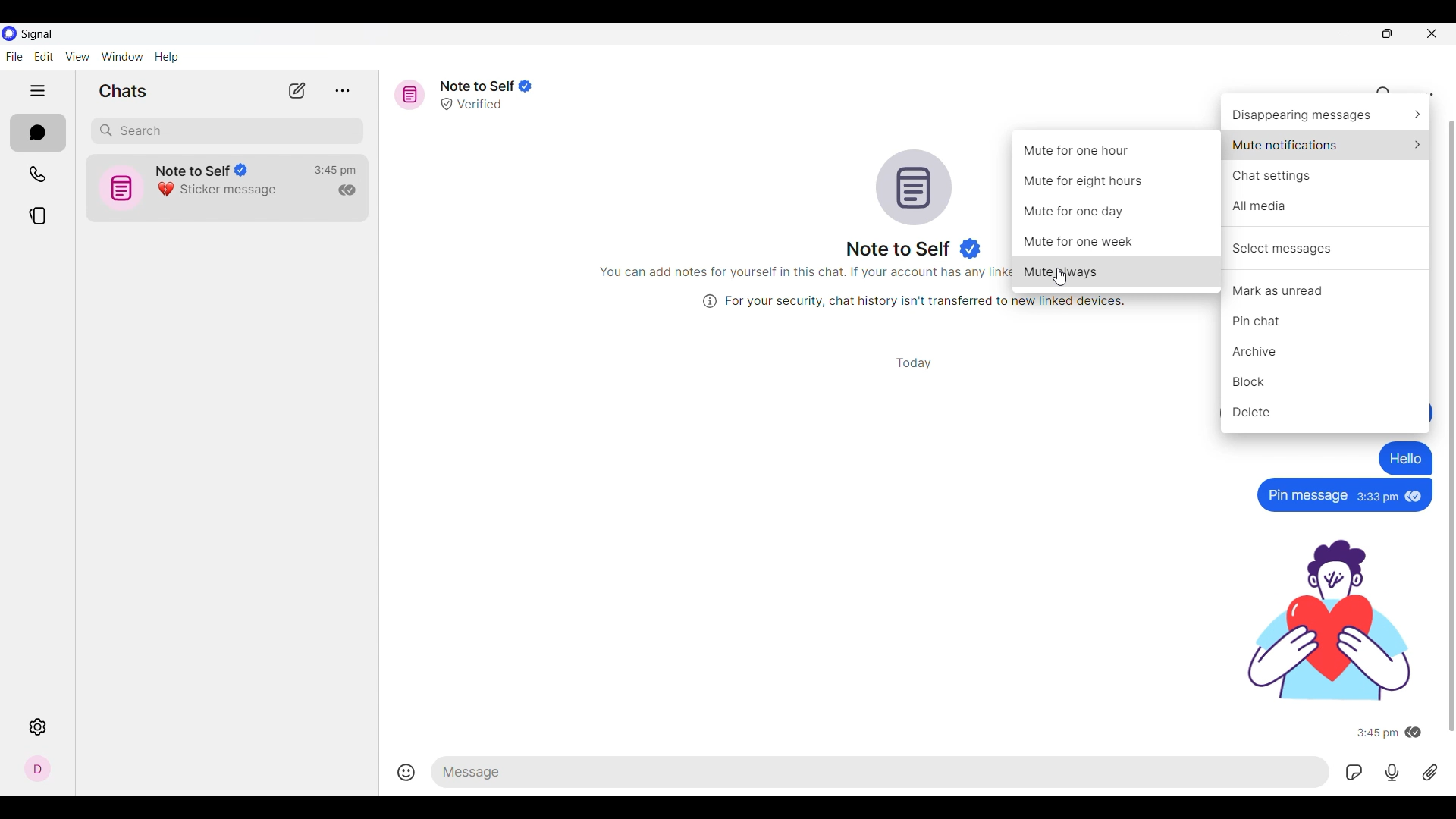 Image resolution: width=1456 pixels, height=819 pixels. What do you see at coordinates (37, 768) in the screenshot?
I see `Profile` at bounding box center [37, 768].